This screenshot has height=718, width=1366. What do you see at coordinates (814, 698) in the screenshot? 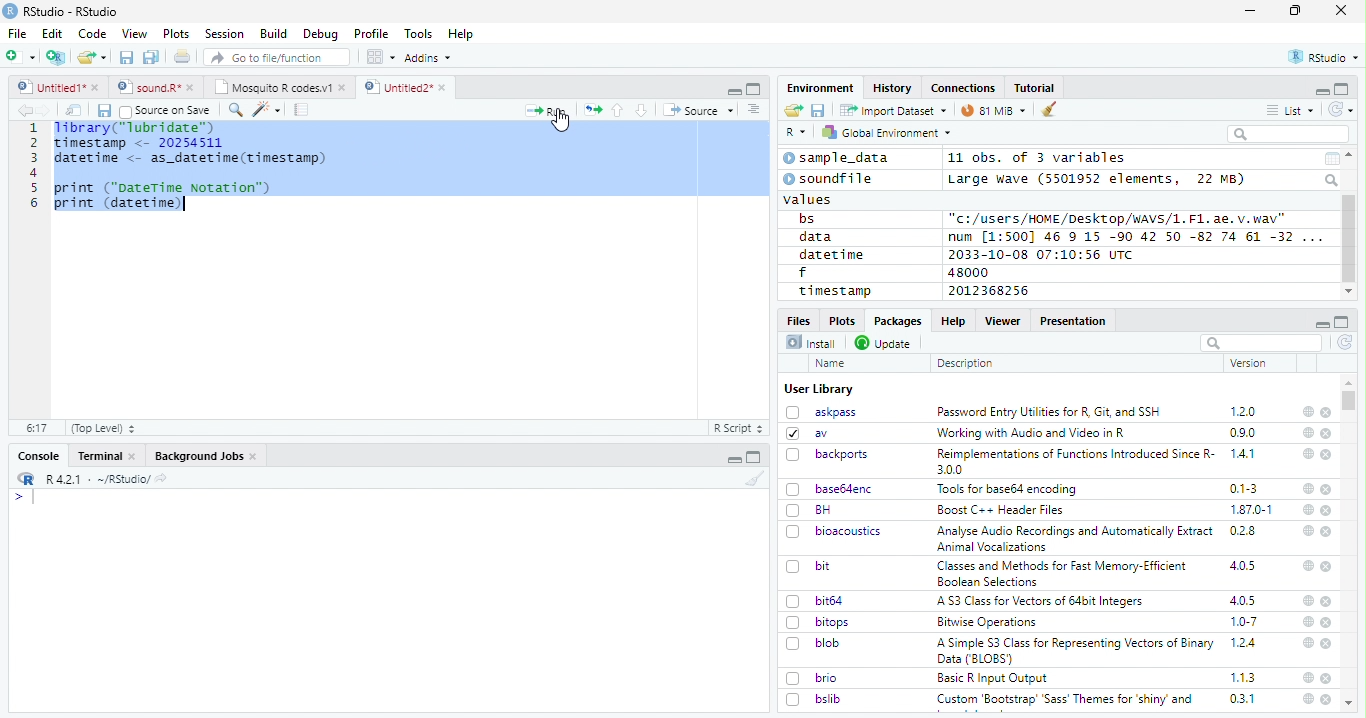
I see `bslib` at bounding box center [814, 698].